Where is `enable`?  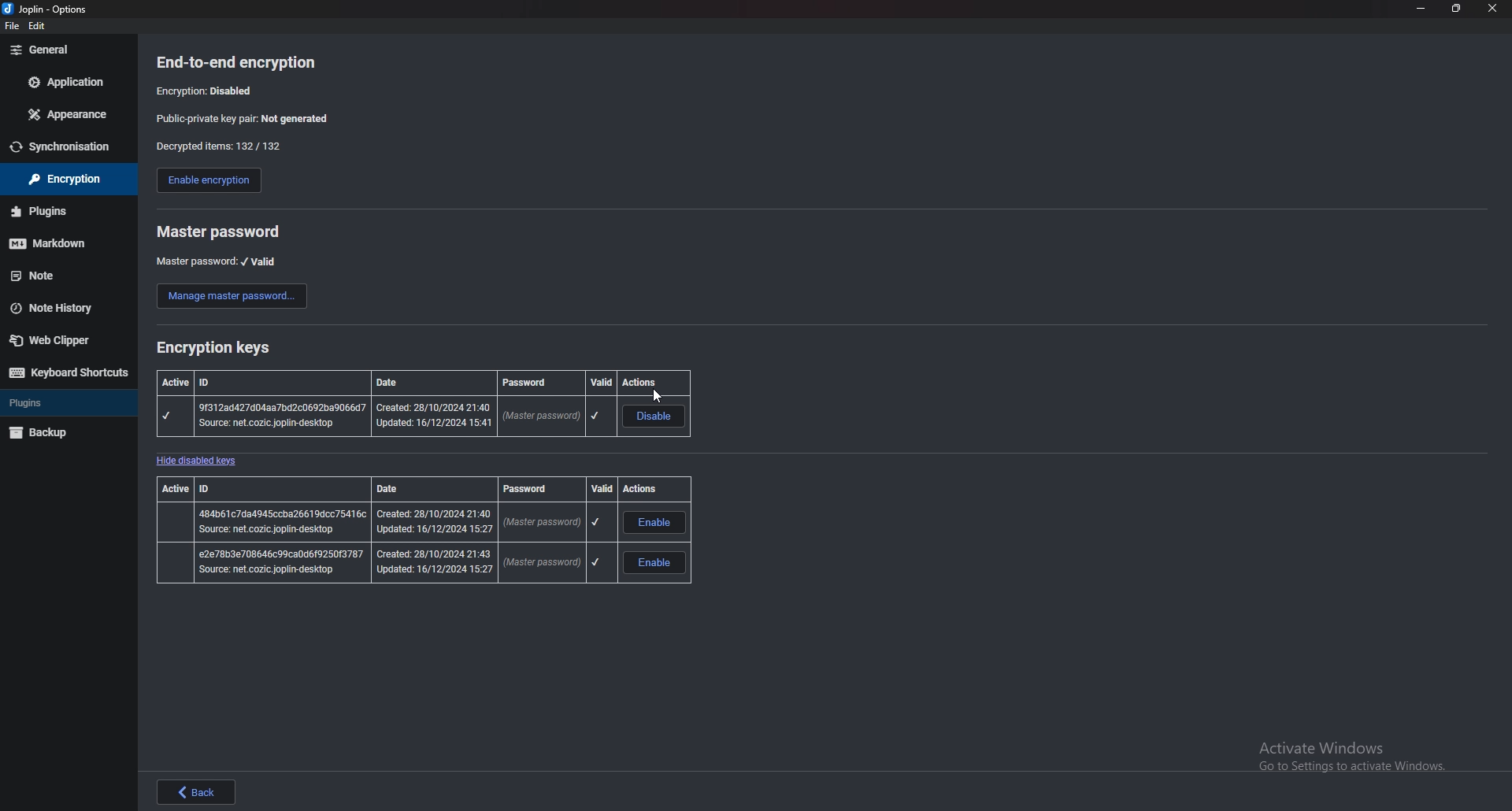 enable is located at coordinates (654, 520).